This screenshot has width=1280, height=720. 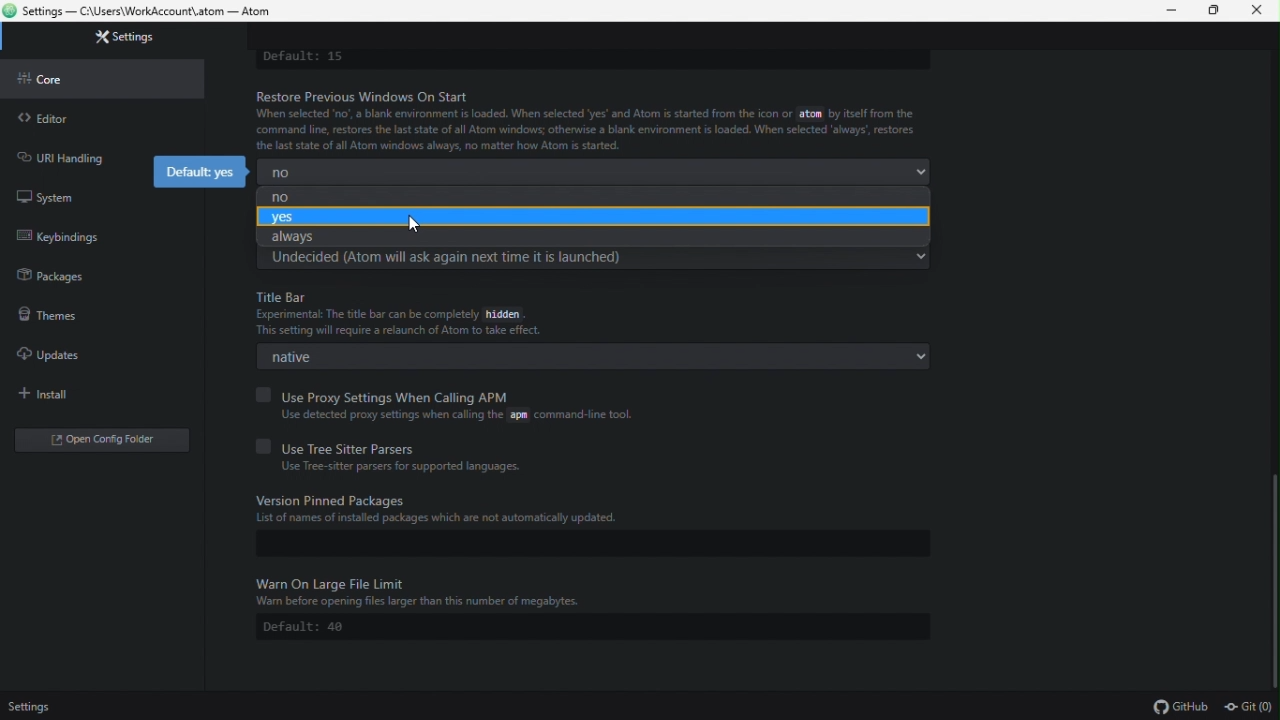 I want to click on minimize, so click(x=1174, y=11).